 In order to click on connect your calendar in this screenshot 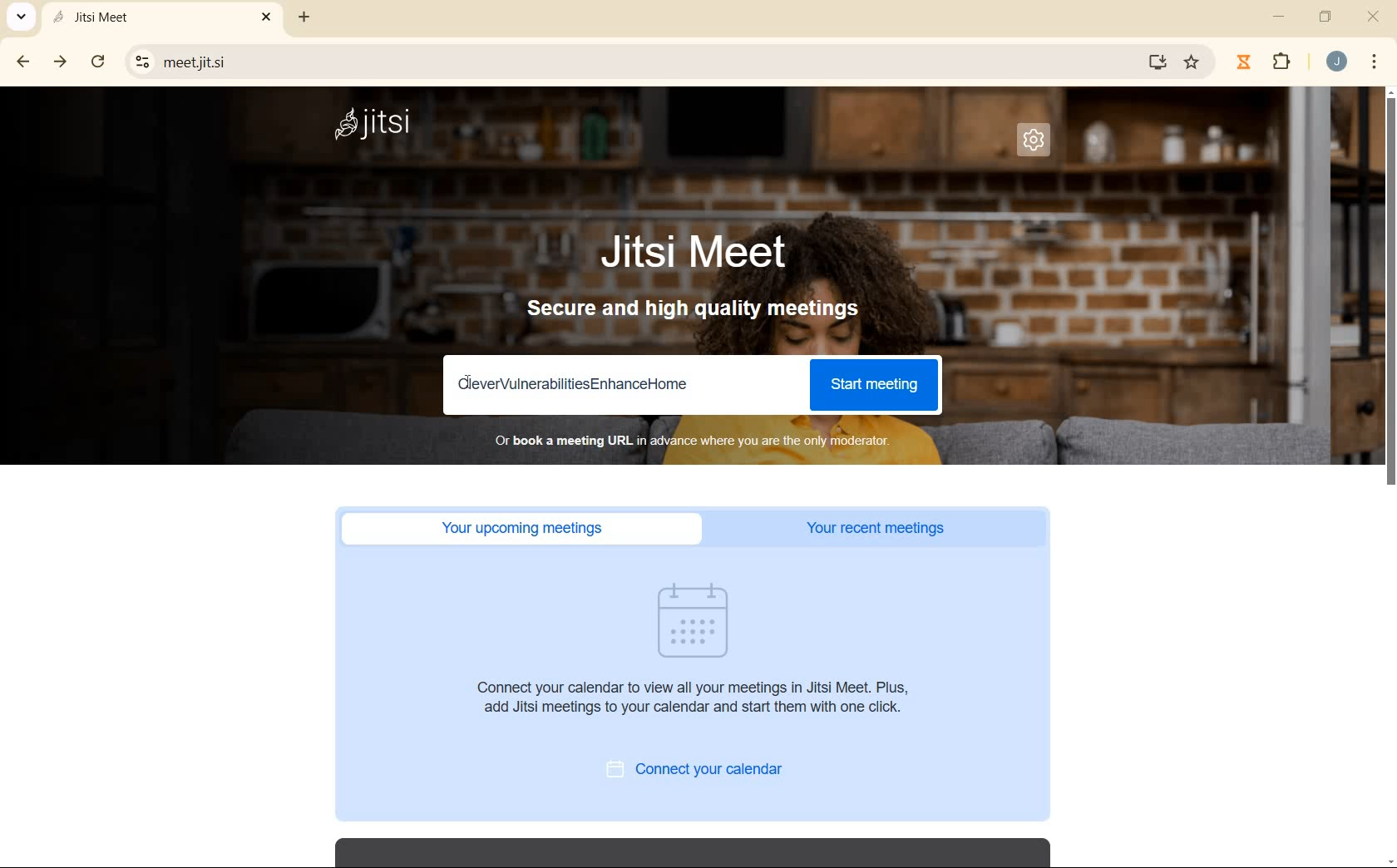, I will do `click(706, 770)`.